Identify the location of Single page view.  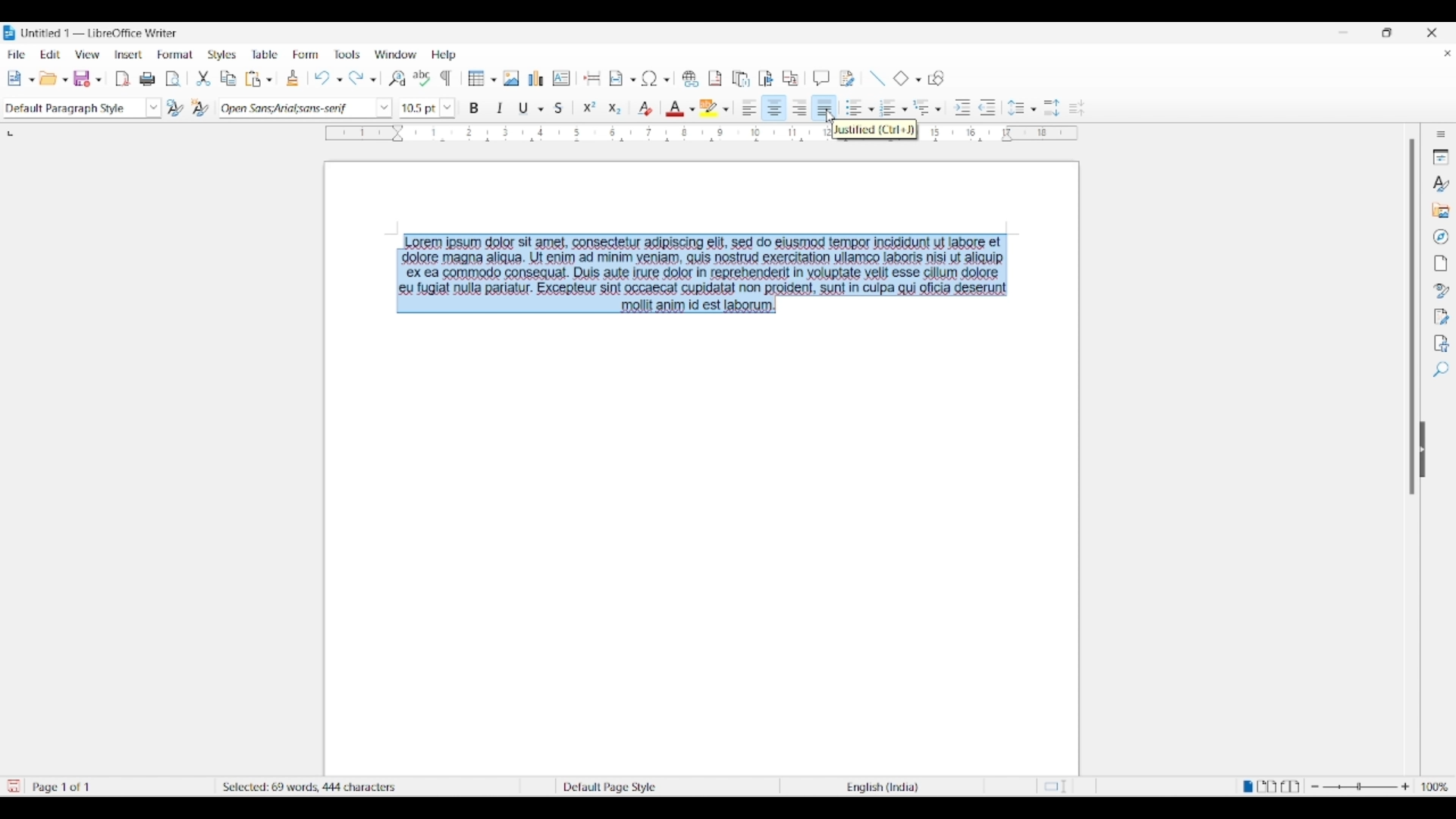
(1246, 786).